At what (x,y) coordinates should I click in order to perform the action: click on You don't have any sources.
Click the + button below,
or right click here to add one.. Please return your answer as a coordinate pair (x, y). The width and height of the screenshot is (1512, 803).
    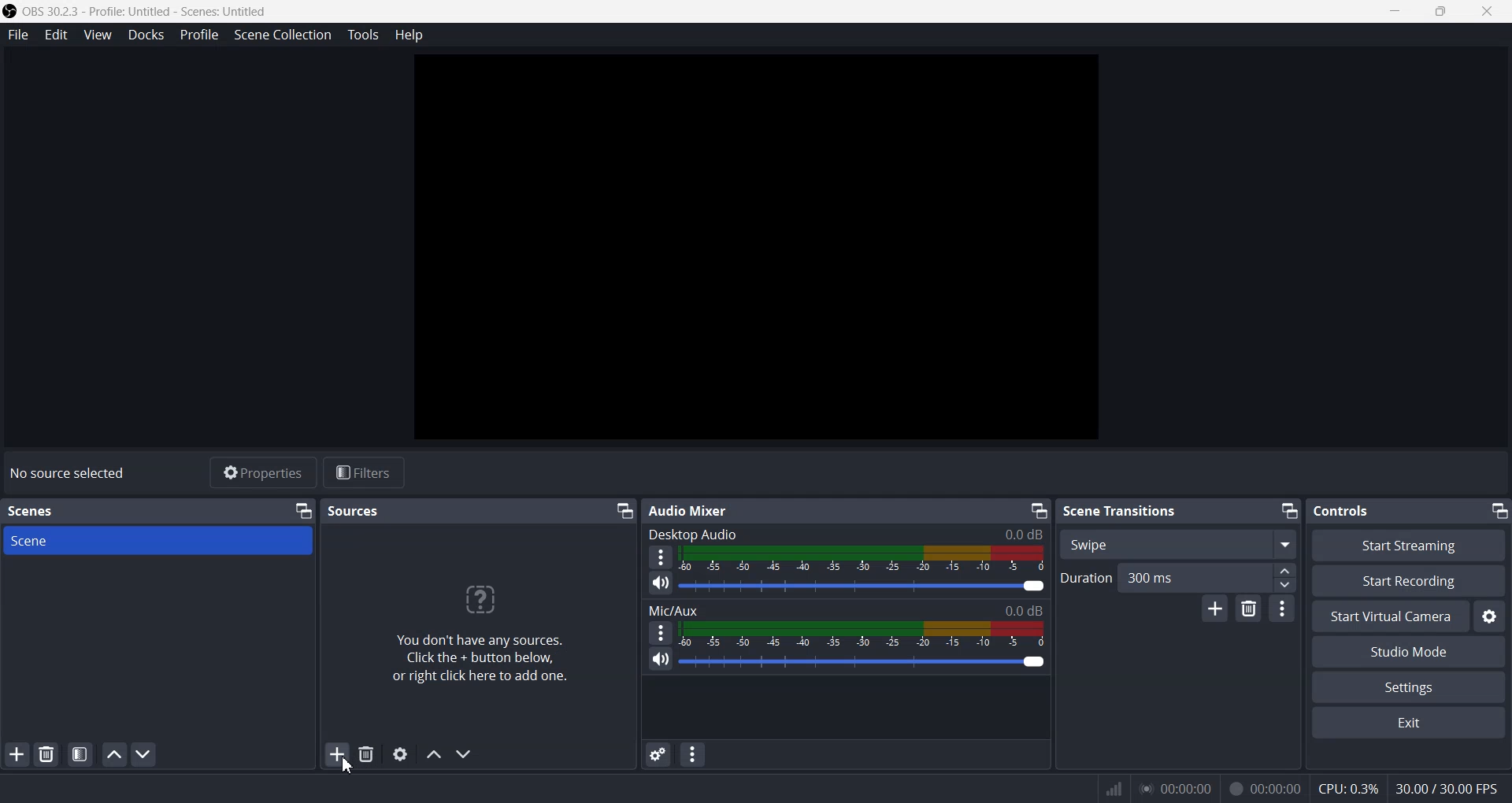
    Looking at the image, I should click on (477, 631).